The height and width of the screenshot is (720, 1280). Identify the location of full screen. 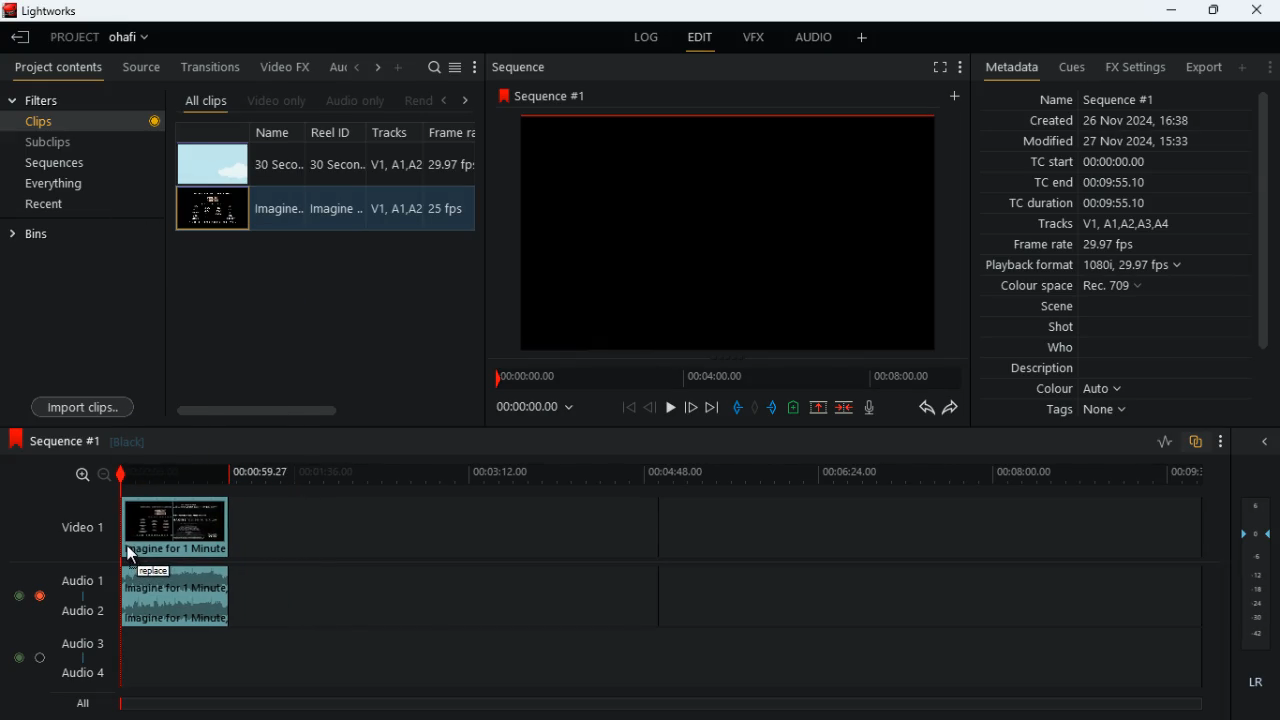
(932, 68).